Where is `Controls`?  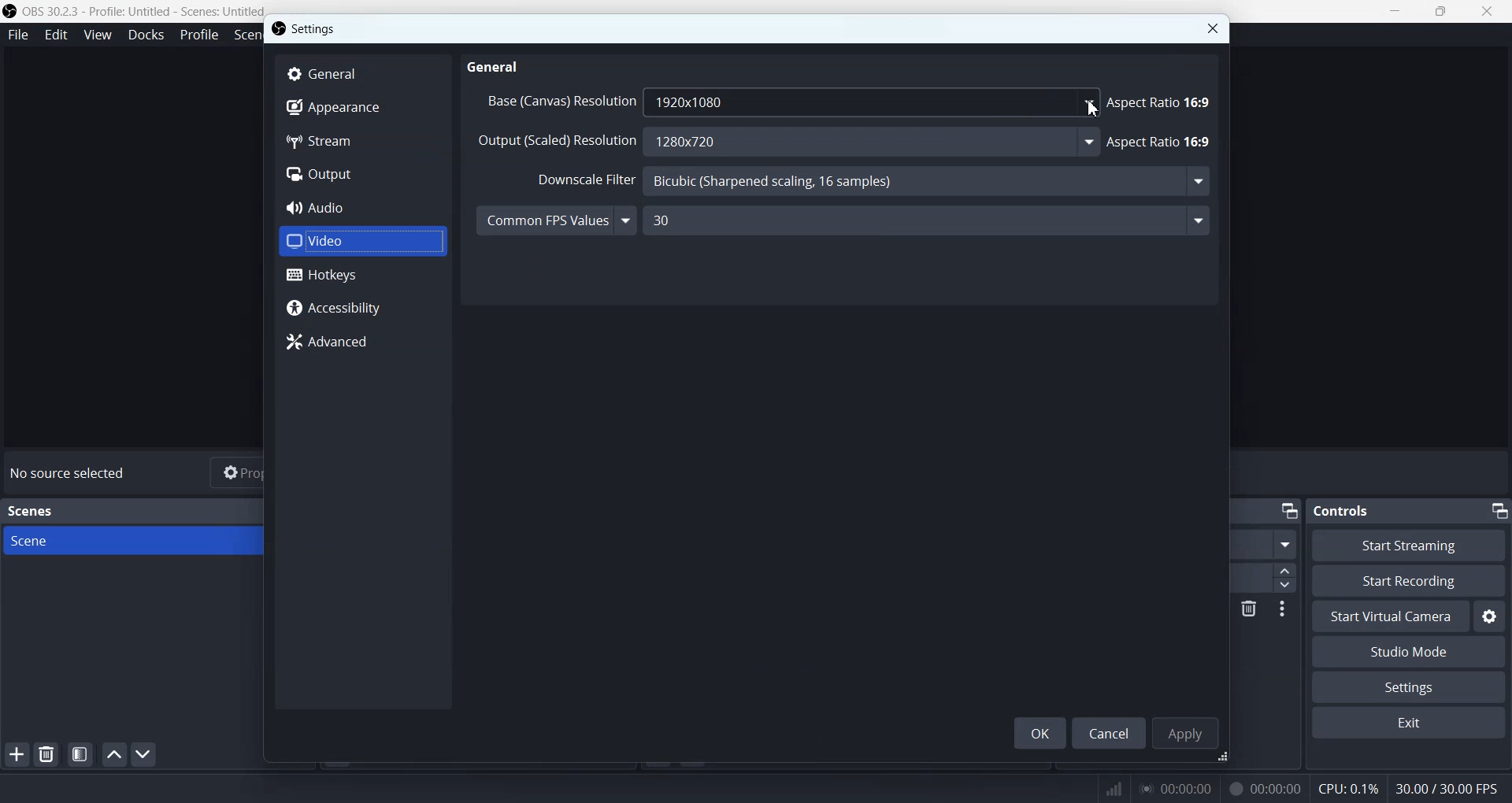
Controls is located at coordinates (1349, 510).